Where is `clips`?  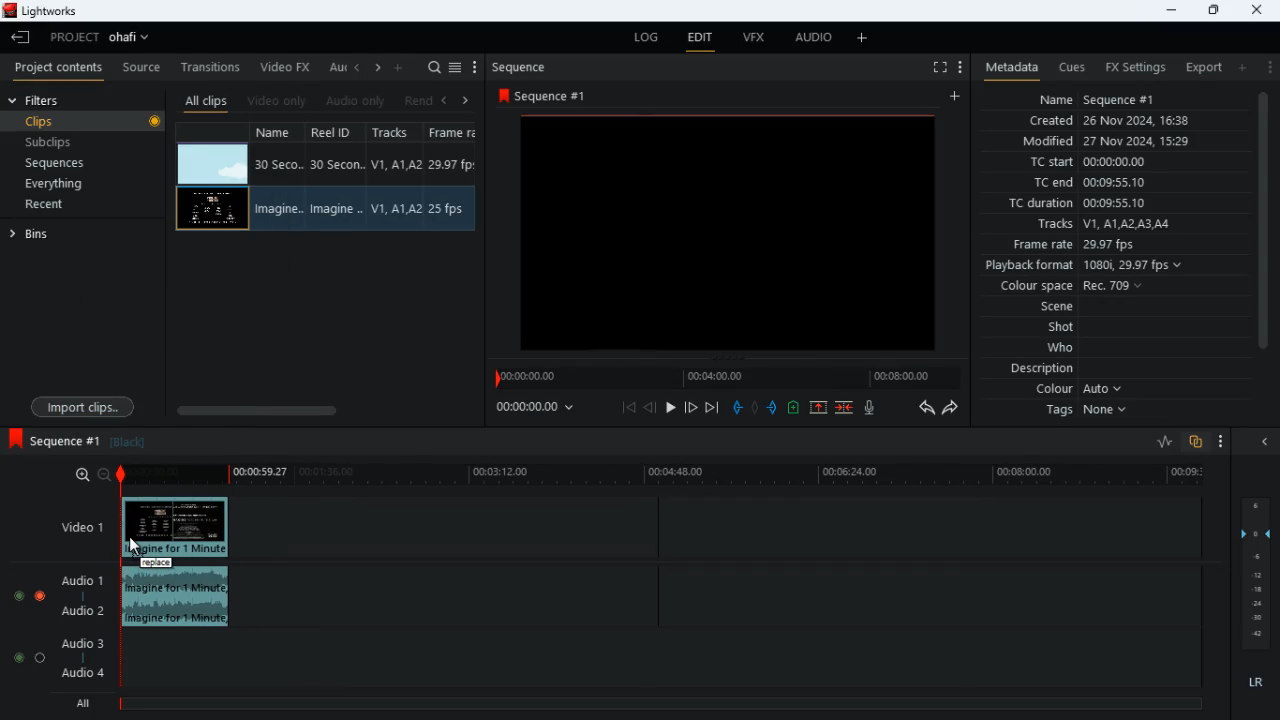
clips is located at coordinates (86, 122).